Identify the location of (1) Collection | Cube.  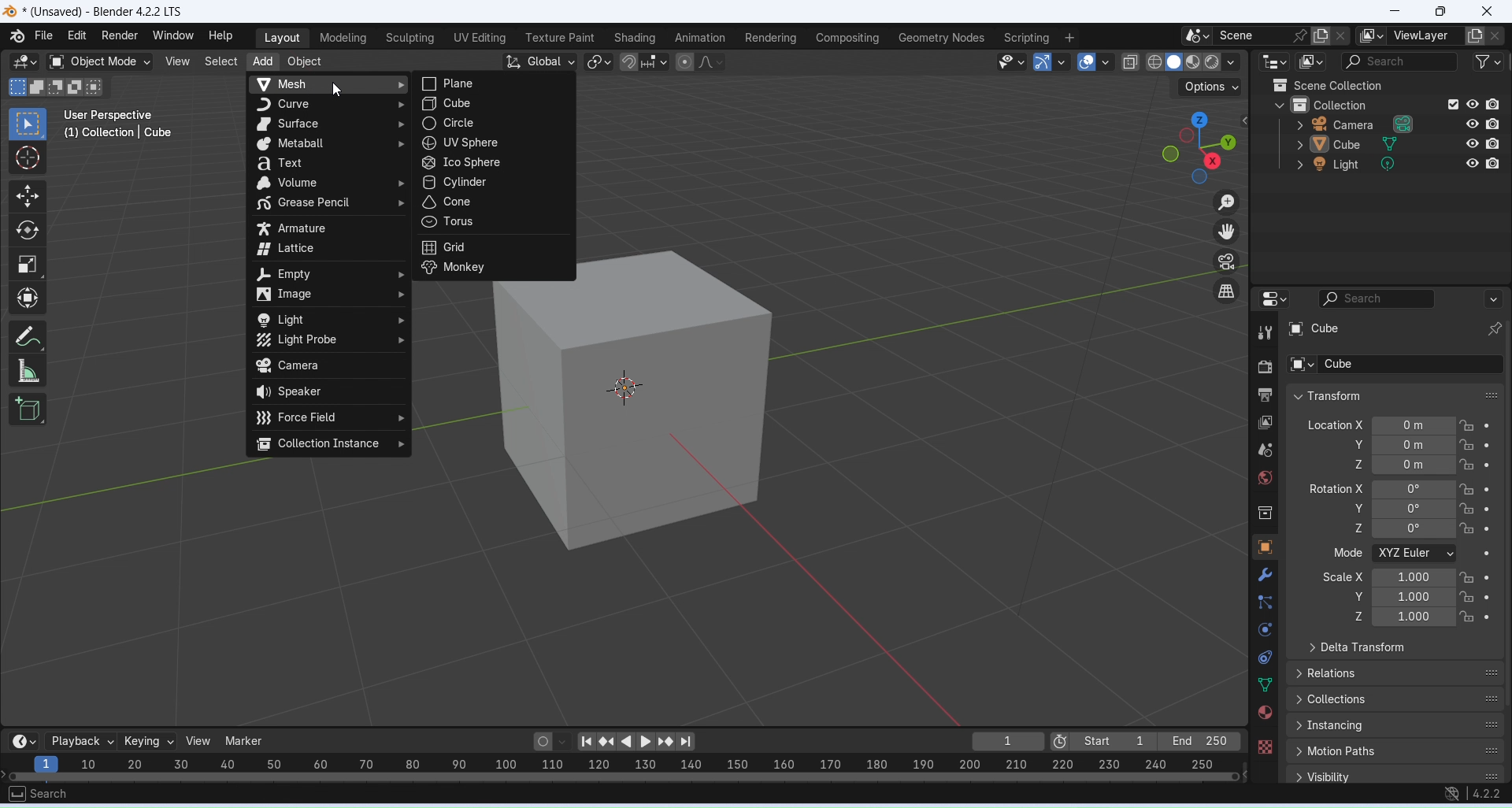
(118, 134).